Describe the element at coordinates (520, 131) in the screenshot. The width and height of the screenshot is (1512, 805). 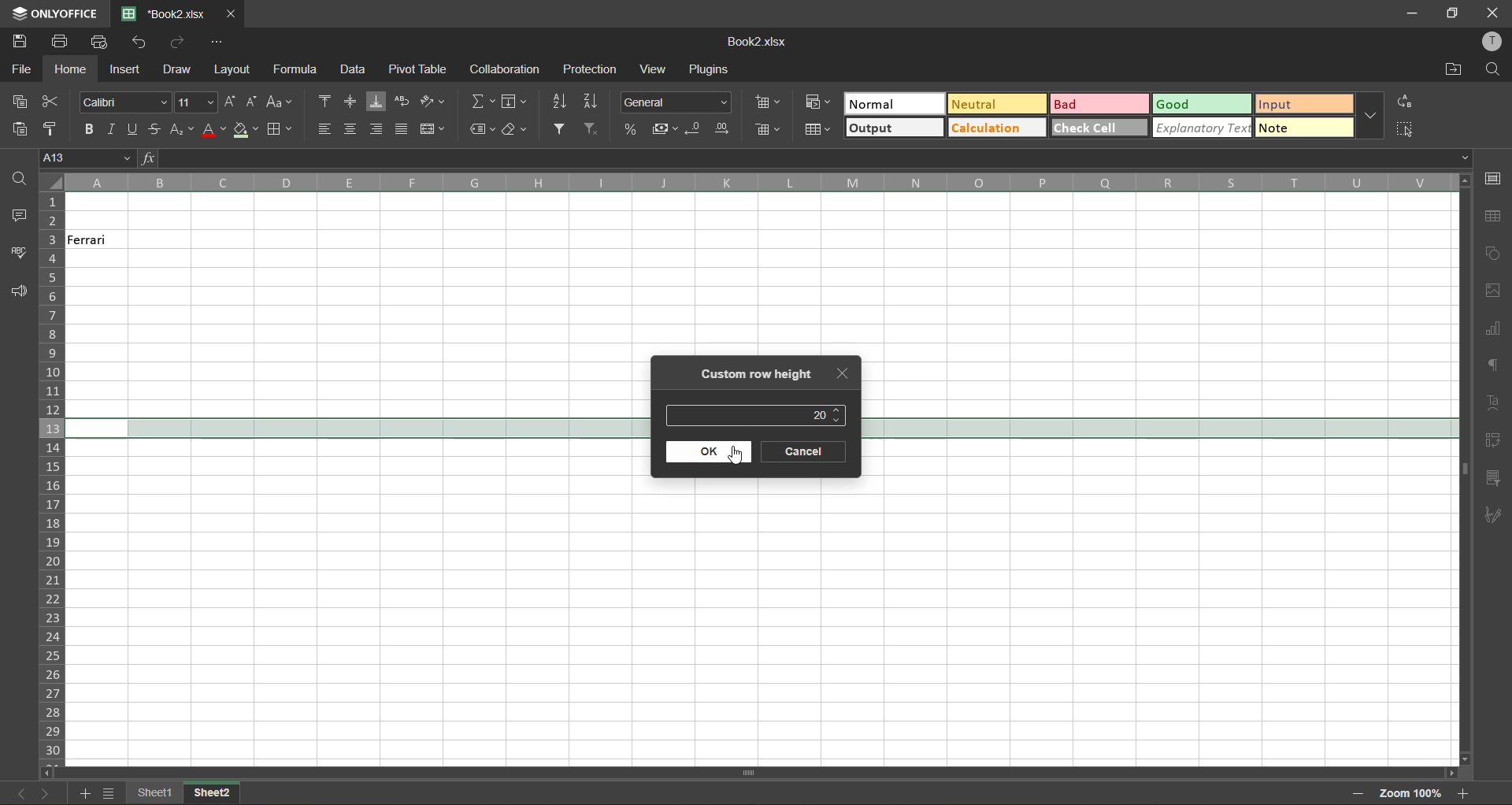
I see `clear` at that location.